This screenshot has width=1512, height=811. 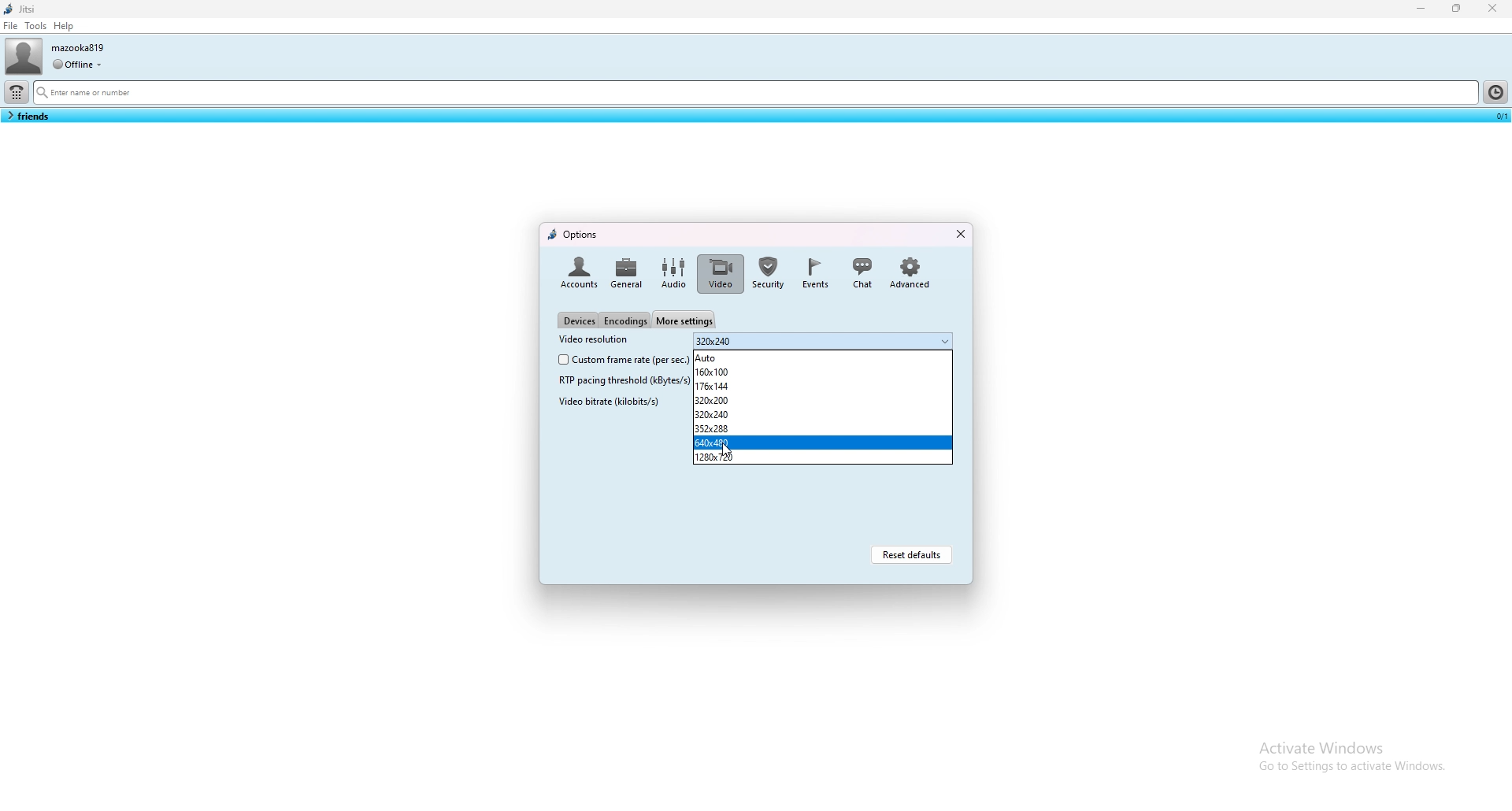 I want to click on More settings, so click(x=684, y=318).